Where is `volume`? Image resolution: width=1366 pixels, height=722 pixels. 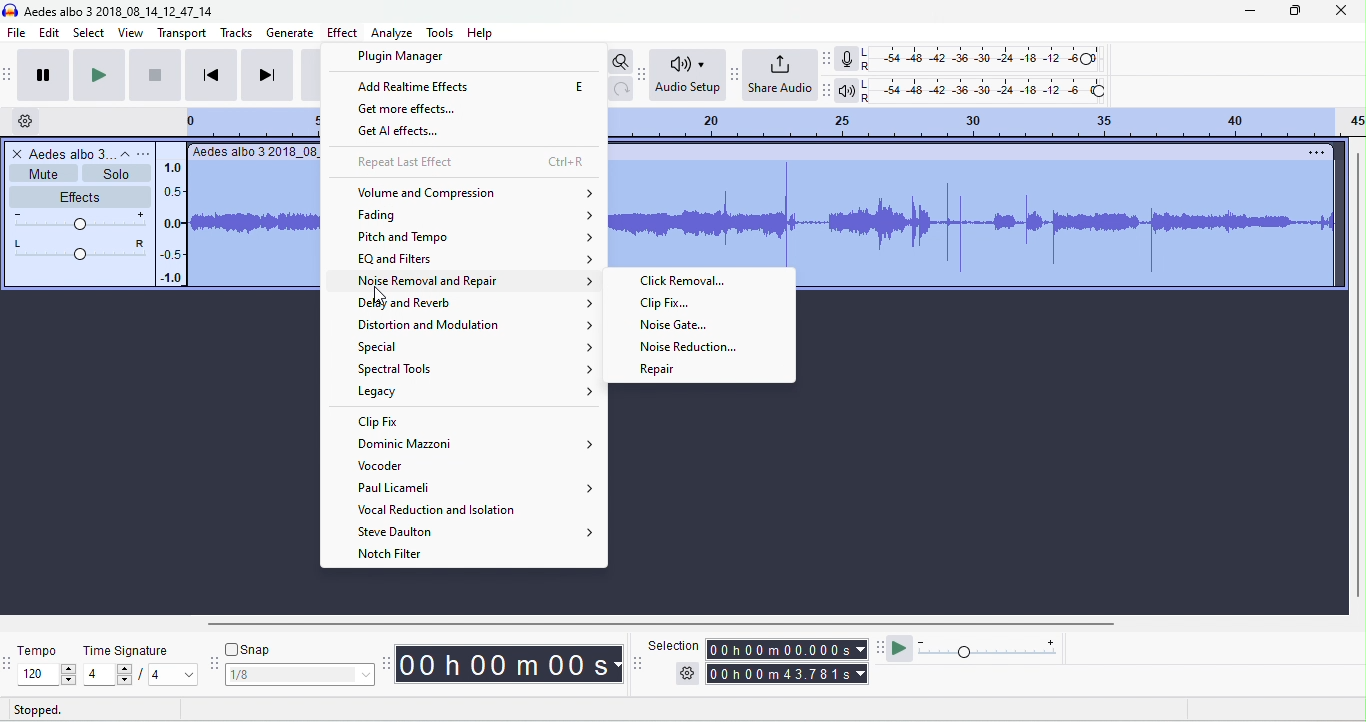
volume is located at coordinates (76, 219).